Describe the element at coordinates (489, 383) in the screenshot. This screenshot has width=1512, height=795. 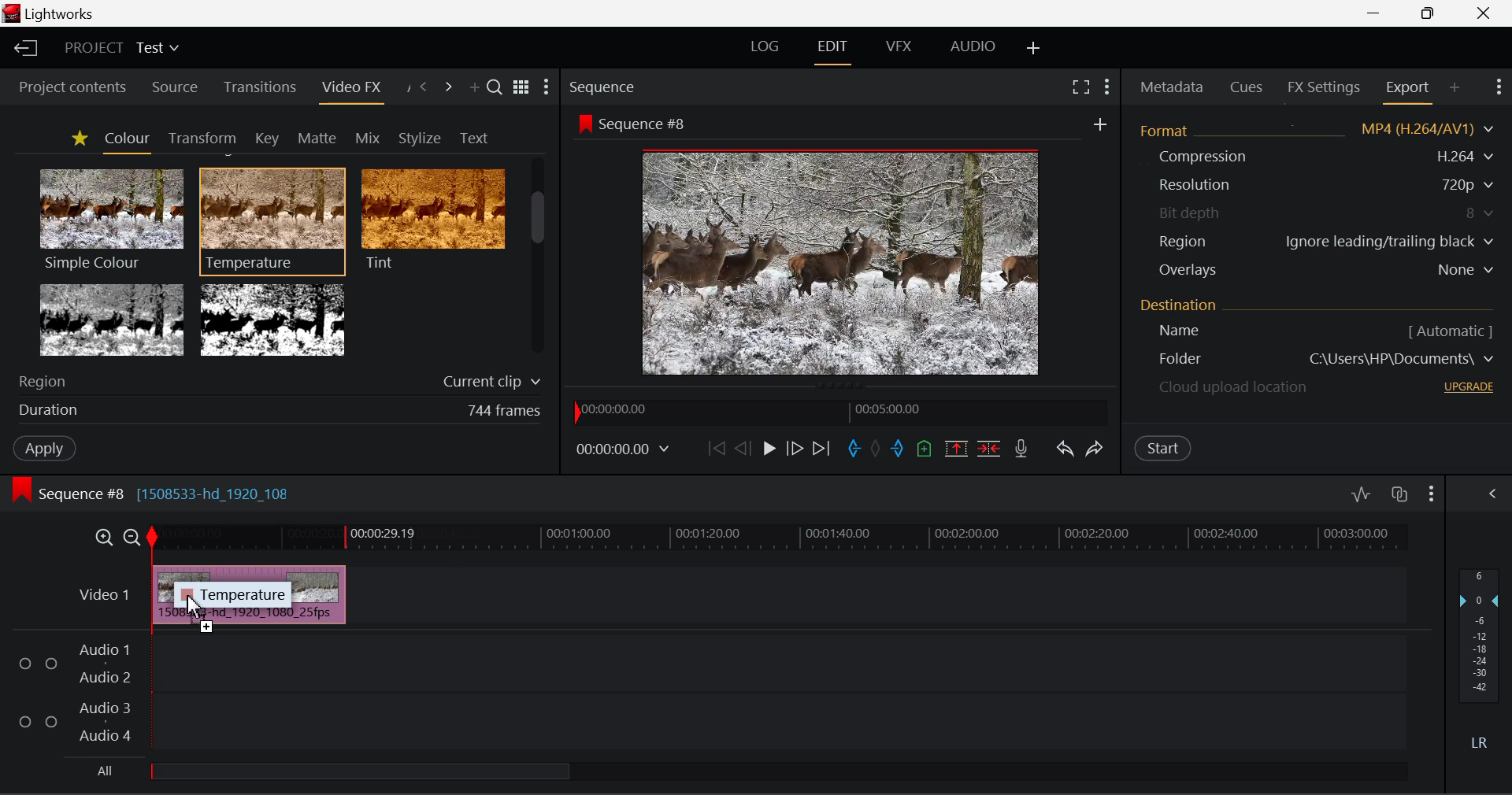
I see `Current clip ` at that location.